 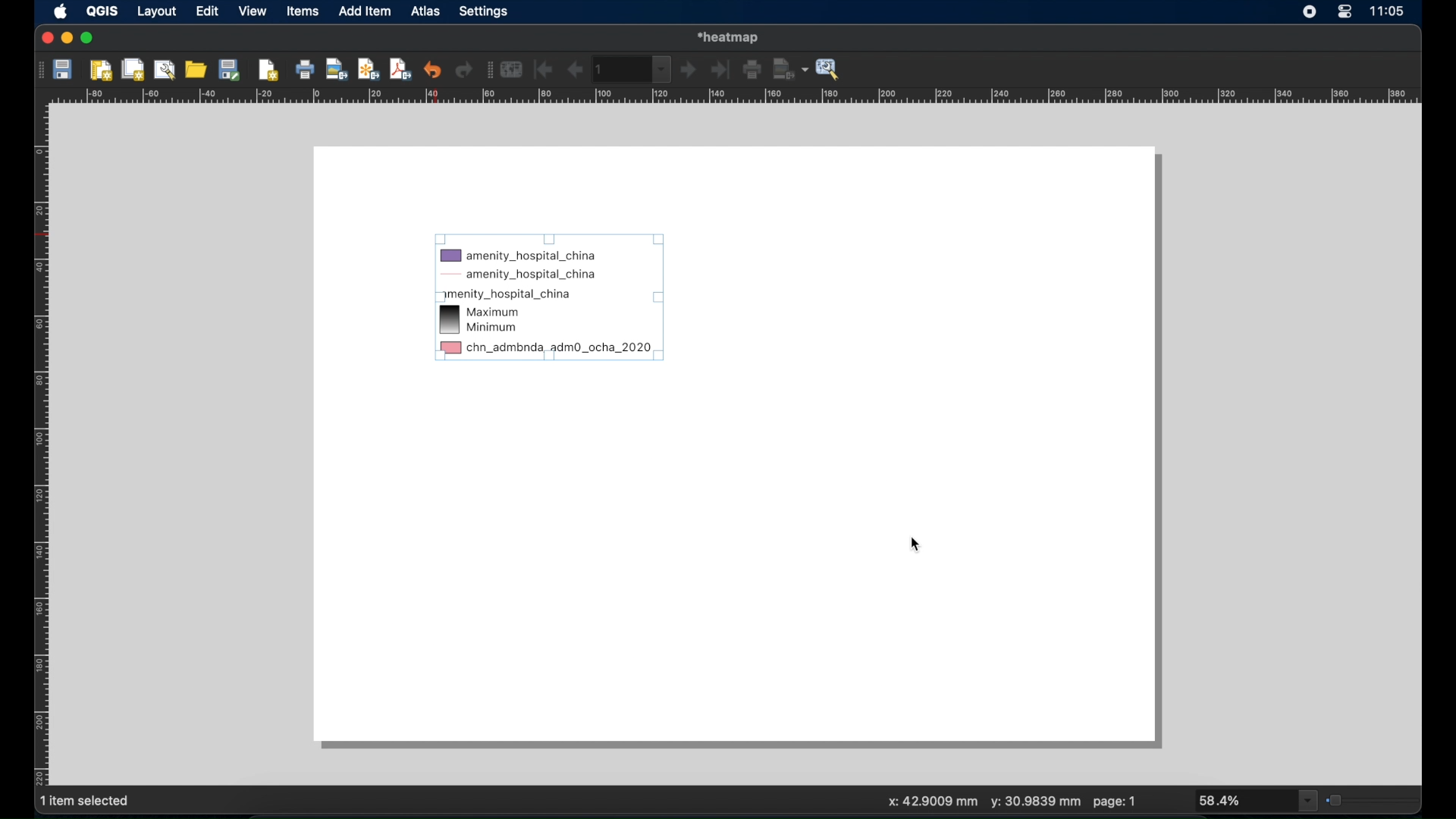 What do you see at coordinates (488, 71) in the screenshot?
I see `atlas toolbar` at bounding box center [488, 71].